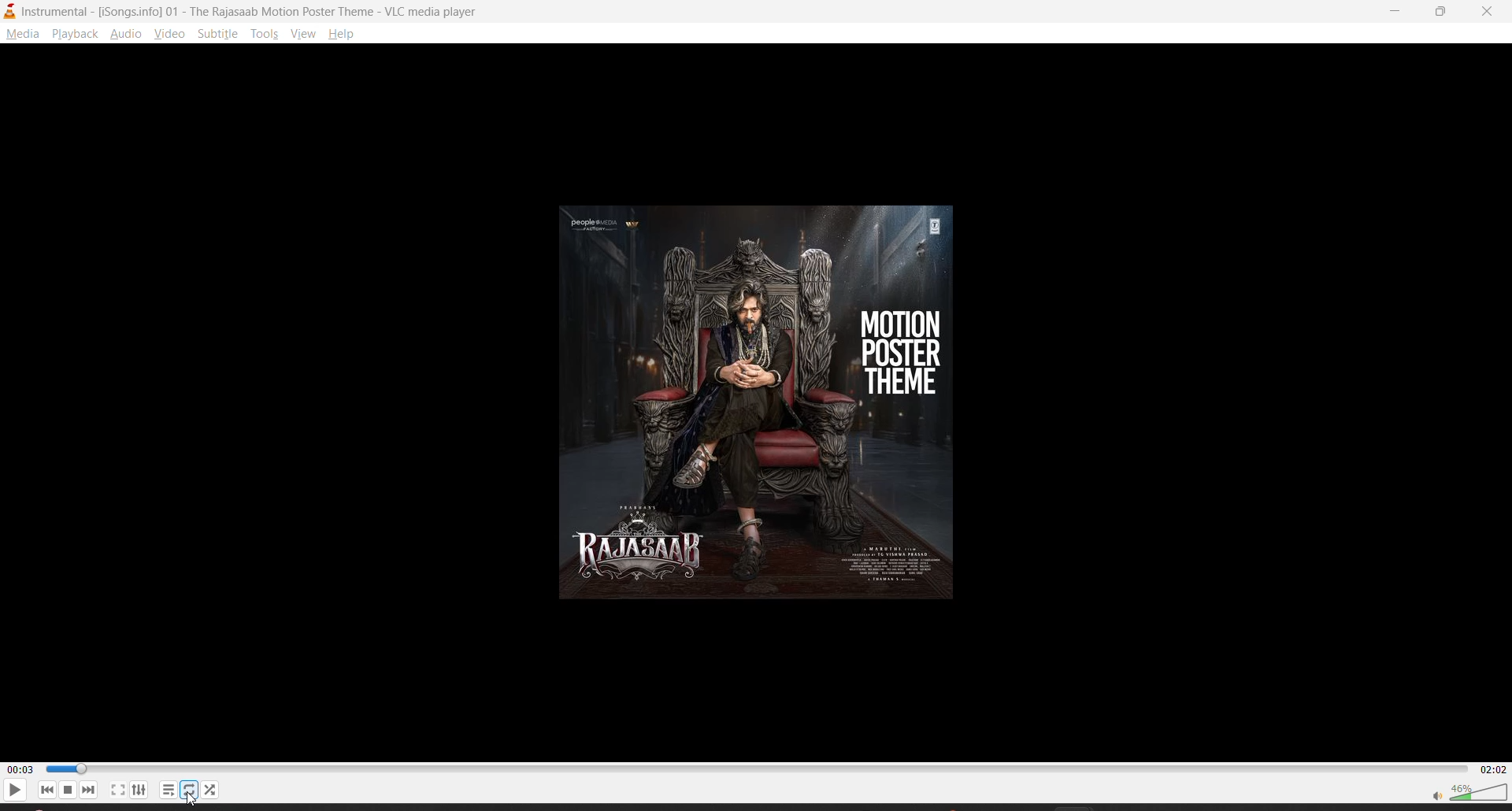  What do you see at coordinates (1469, 793) in the screenshot?
I see `volume` at bounding box center [1469, 793].